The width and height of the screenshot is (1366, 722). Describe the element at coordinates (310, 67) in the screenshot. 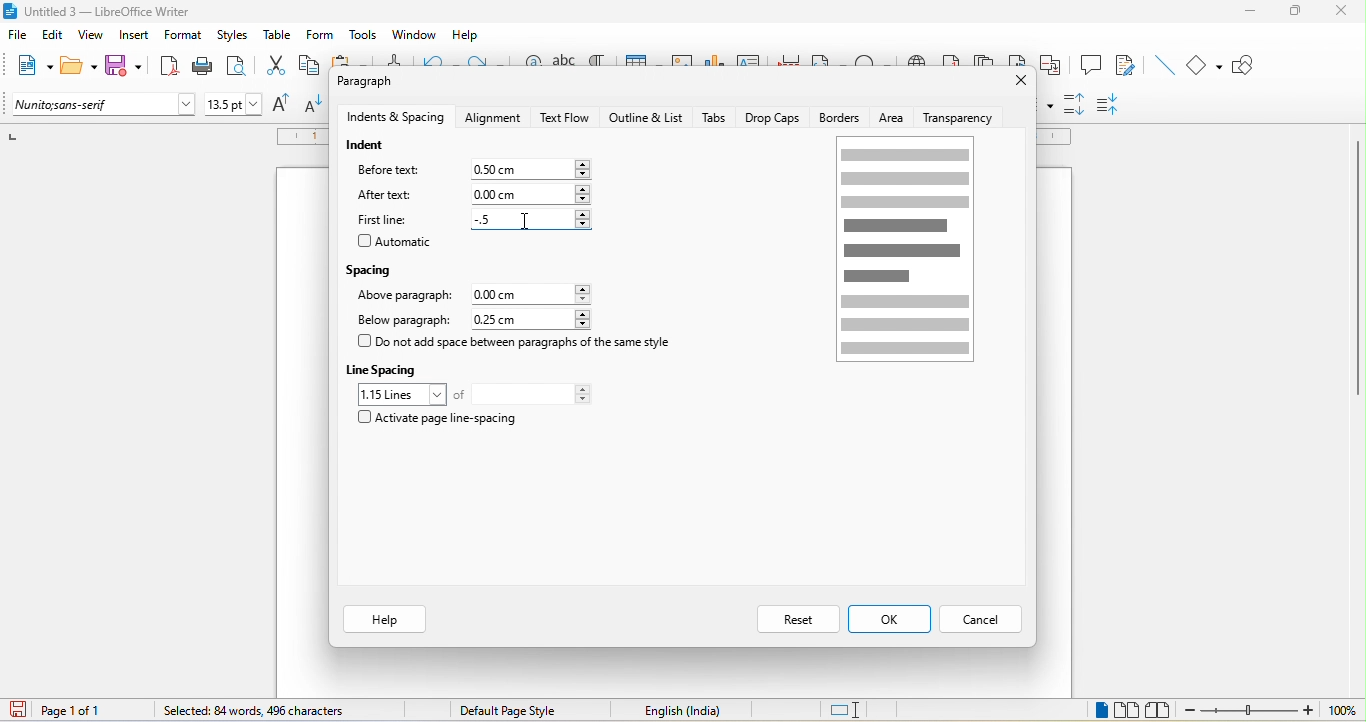

I see `copy` at that location.